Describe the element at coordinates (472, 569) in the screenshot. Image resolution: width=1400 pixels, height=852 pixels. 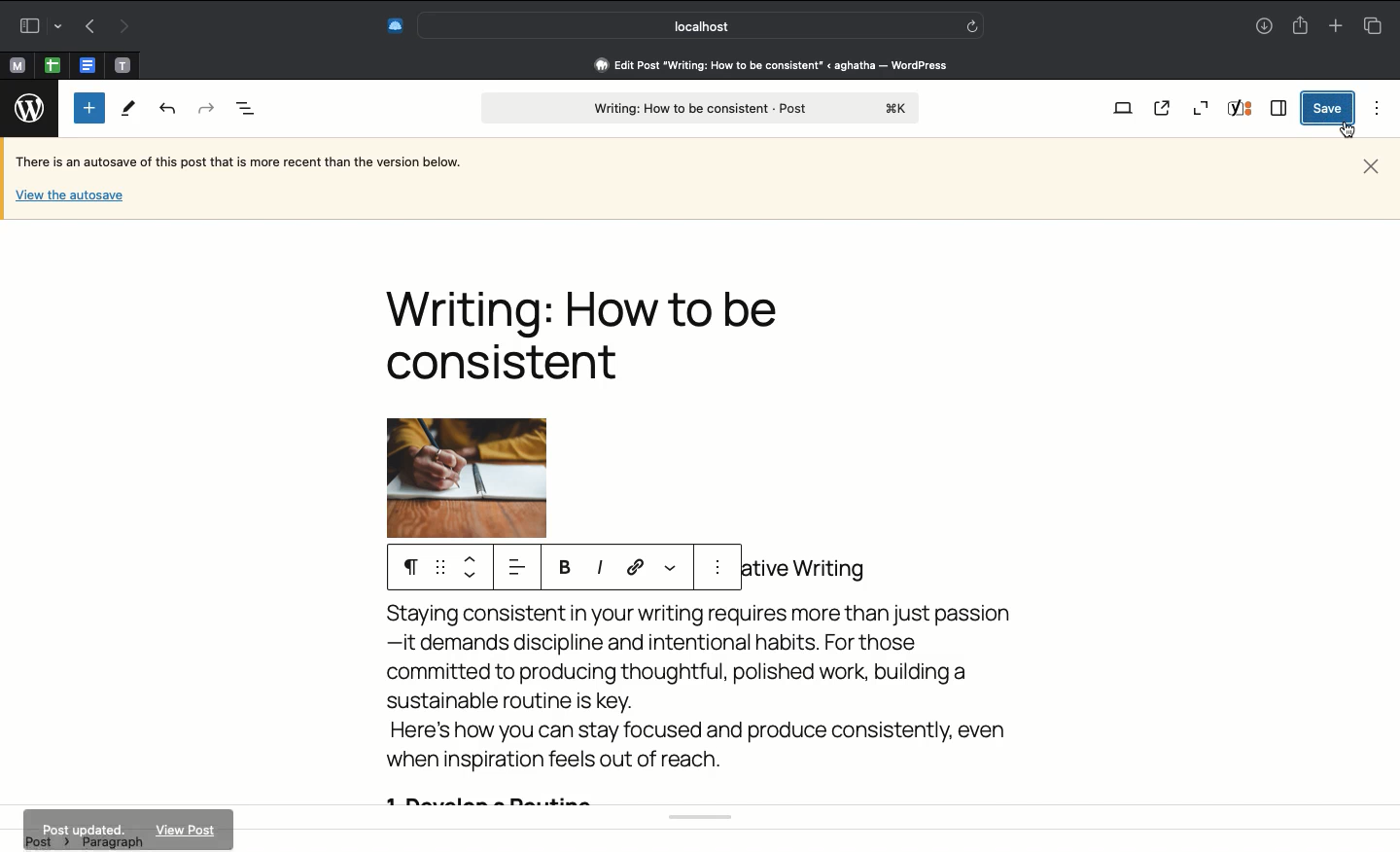
I see `Move up down` at that location.